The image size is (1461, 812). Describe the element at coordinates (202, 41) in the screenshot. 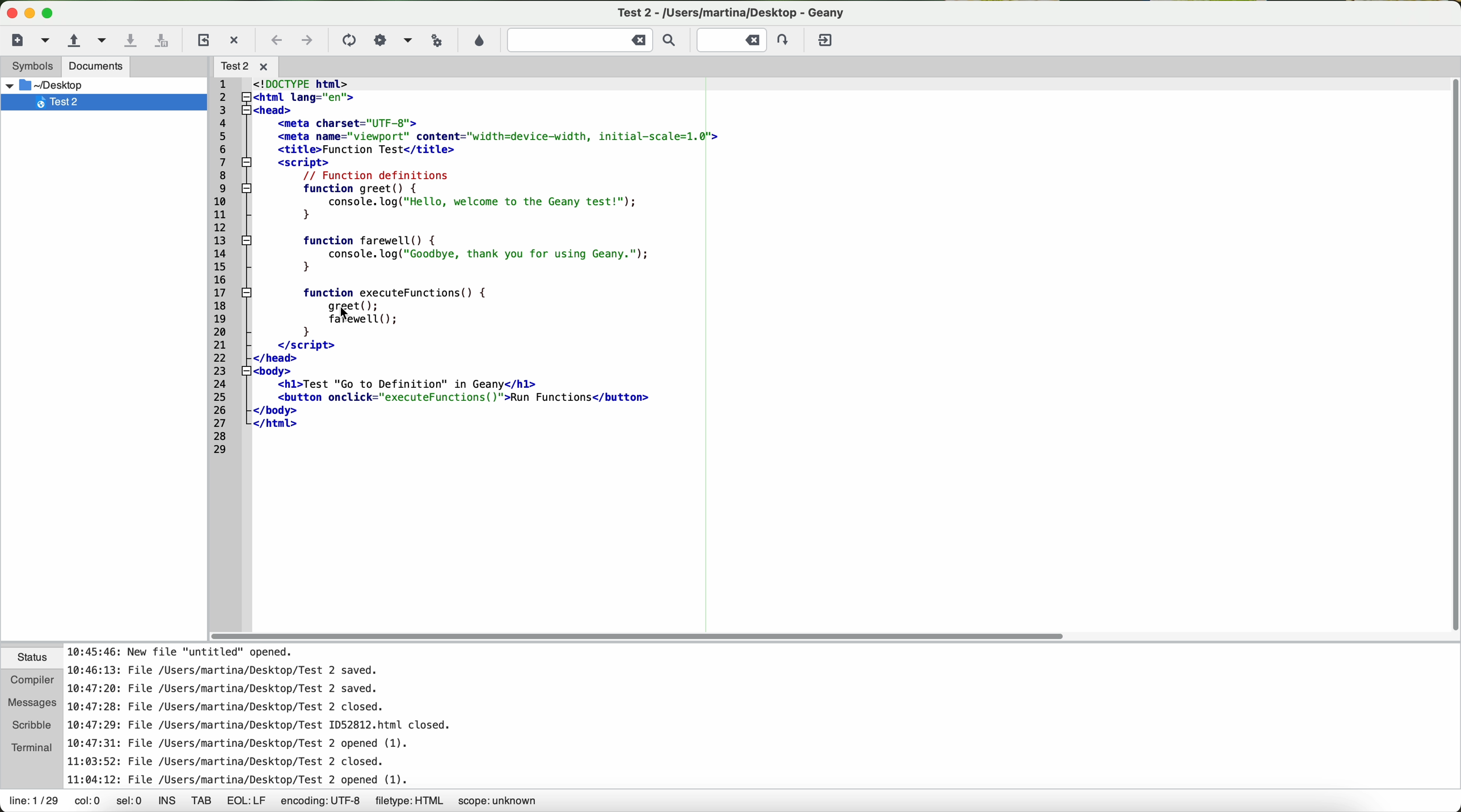

I see `reload the current file from diskl` at that location.